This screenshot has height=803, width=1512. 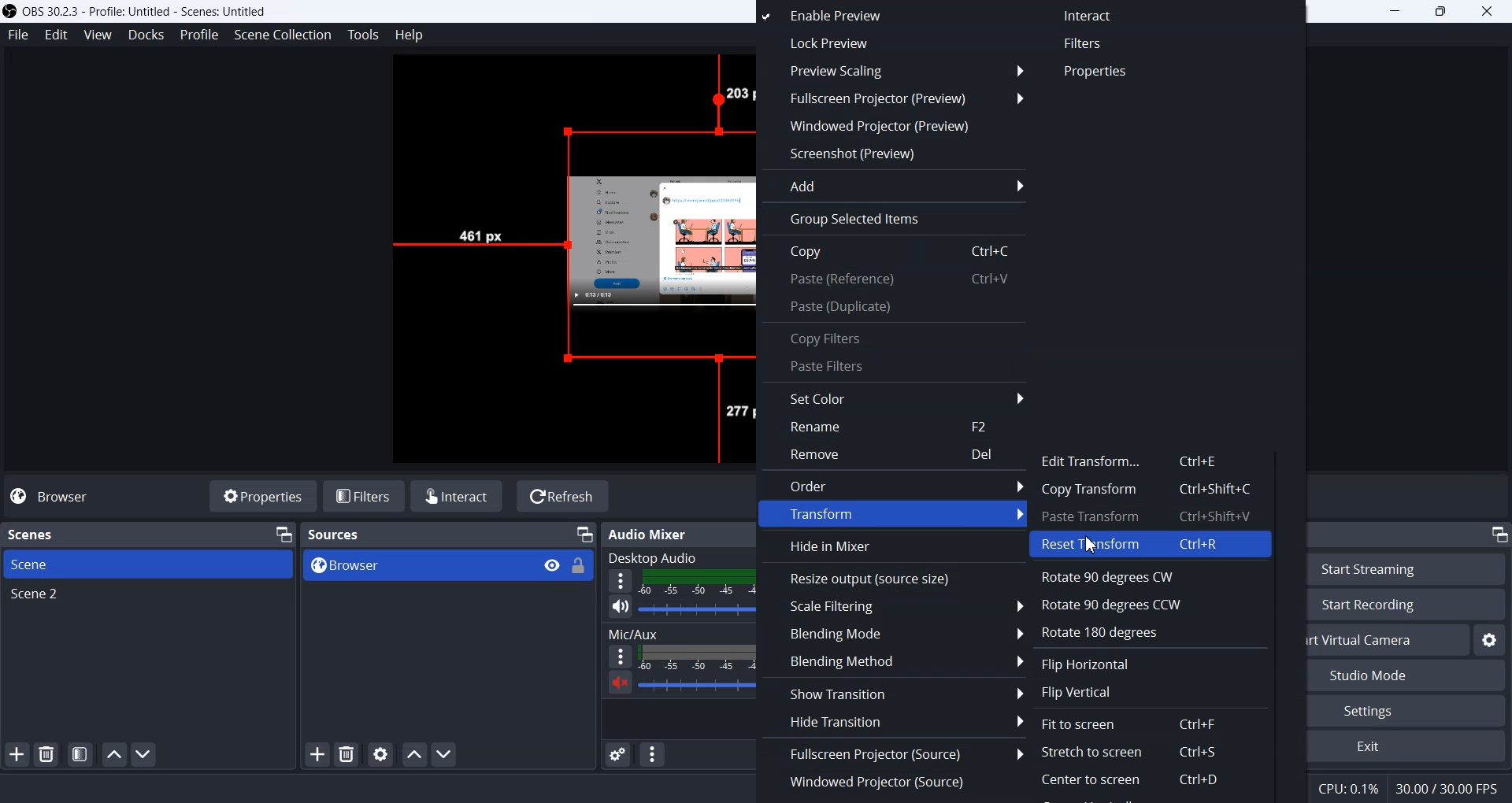 What do you see at coordinates (696, 657) in the screenshot?
I see `Sound level indicator` at bounding box center [696, 657].